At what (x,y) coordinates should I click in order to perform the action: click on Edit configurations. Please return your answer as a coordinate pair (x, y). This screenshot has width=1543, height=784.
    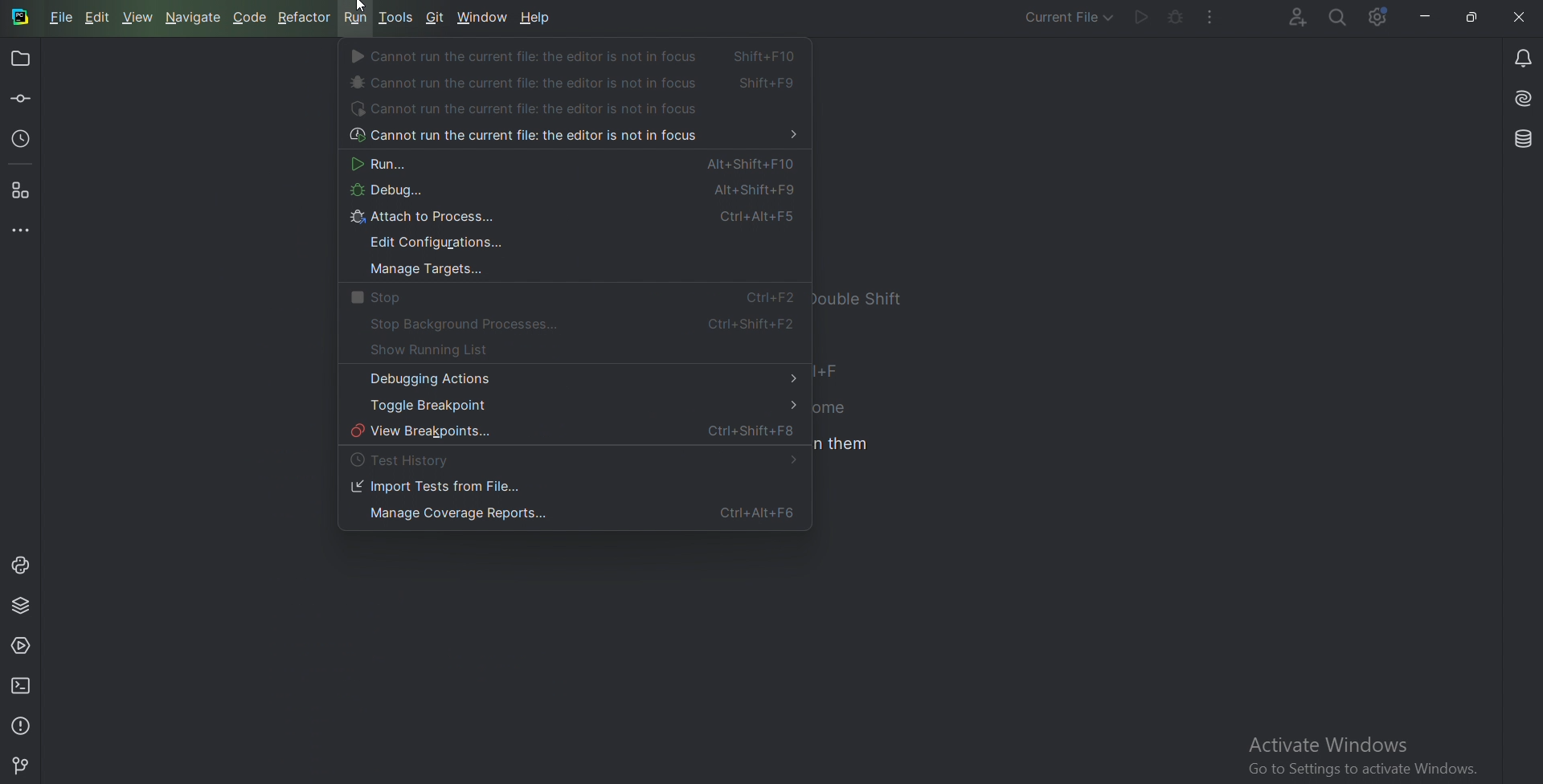
    Looking at the image, I should click on (440, 243).